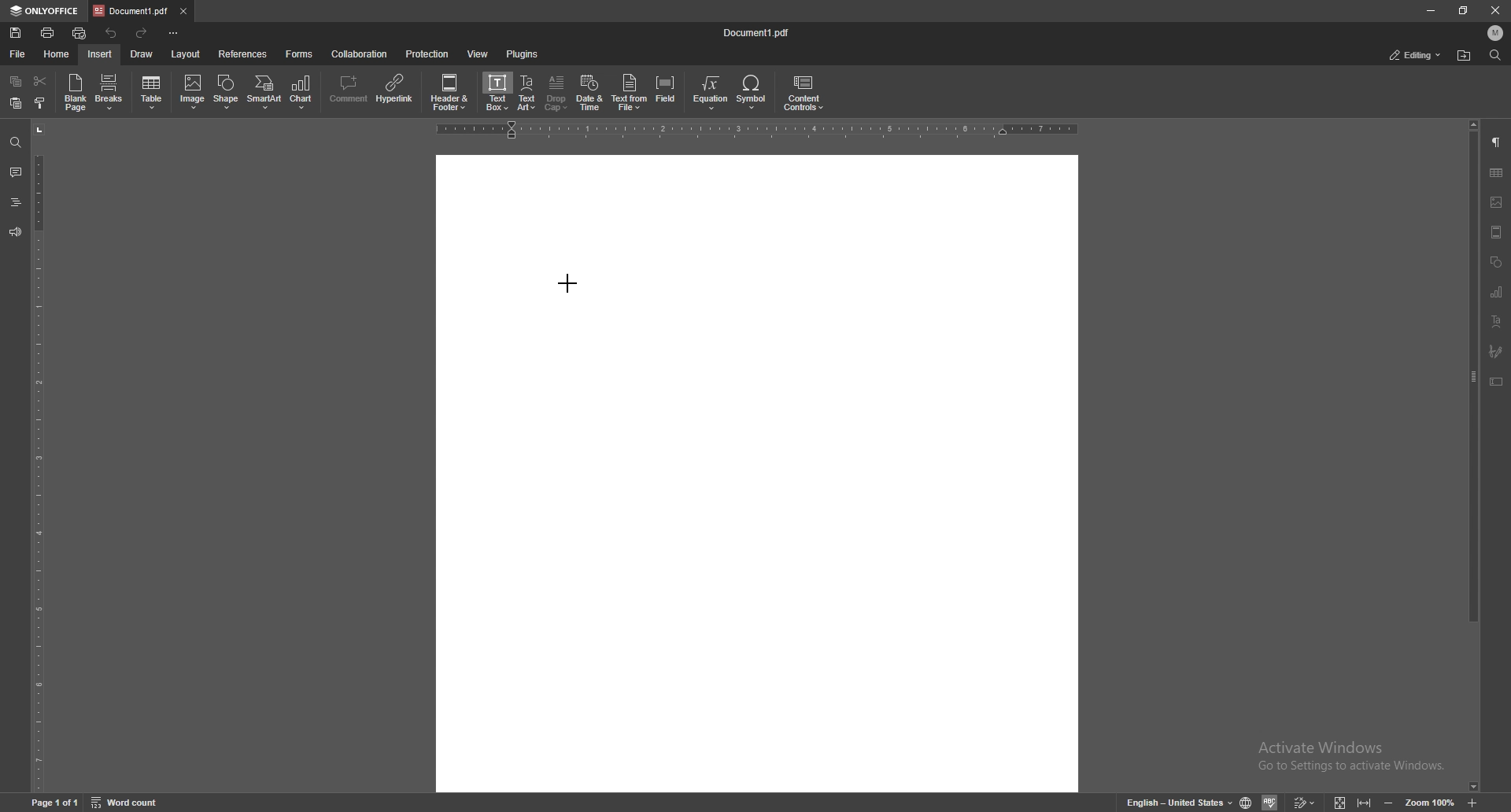 Image resolution: width=1511 pixels, height=812 pixels. I want to click on close tab, so click(183, 10).